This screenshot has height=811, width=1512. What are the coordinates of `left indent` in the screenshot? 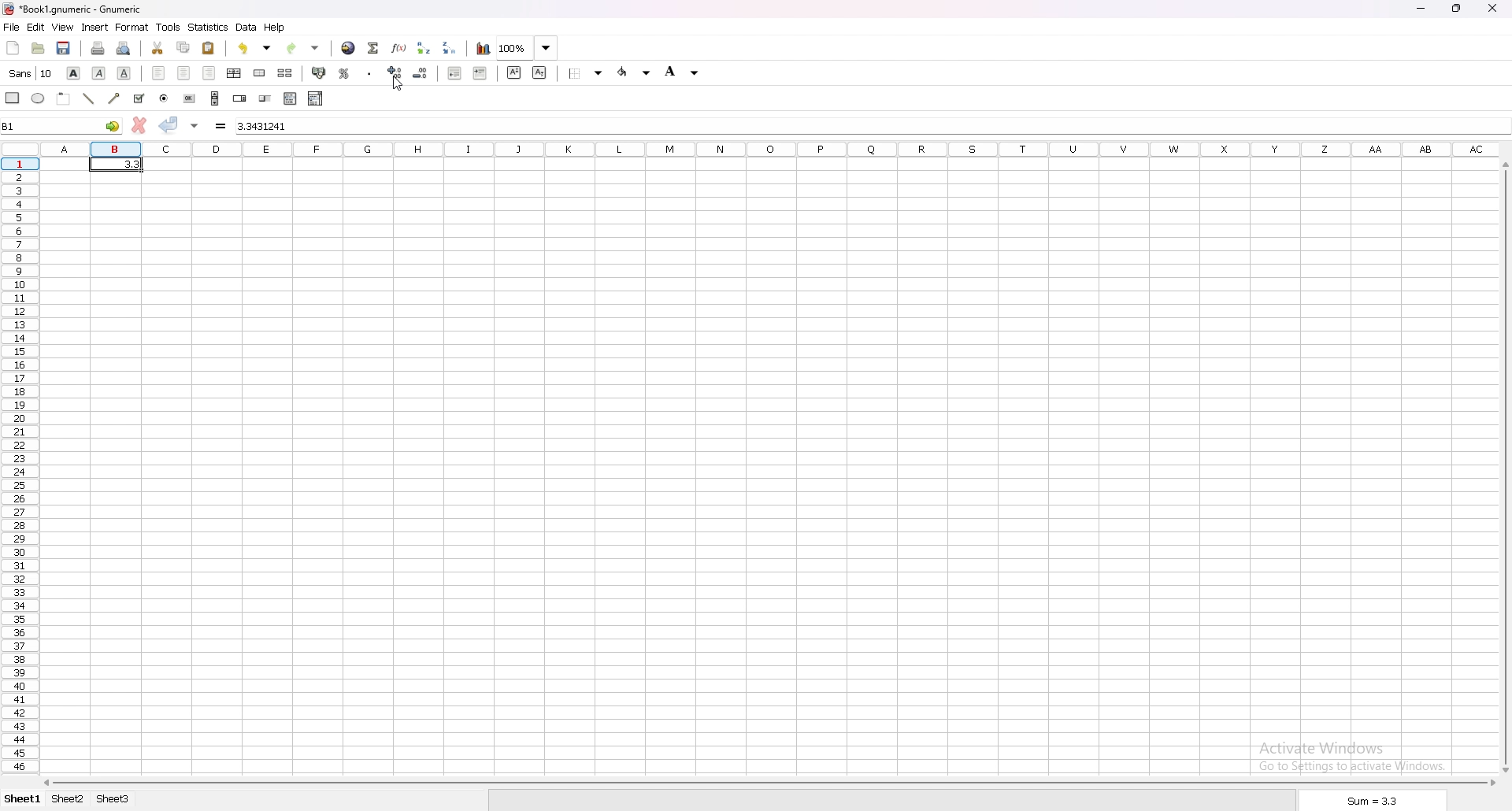 It's located at (159, 73).